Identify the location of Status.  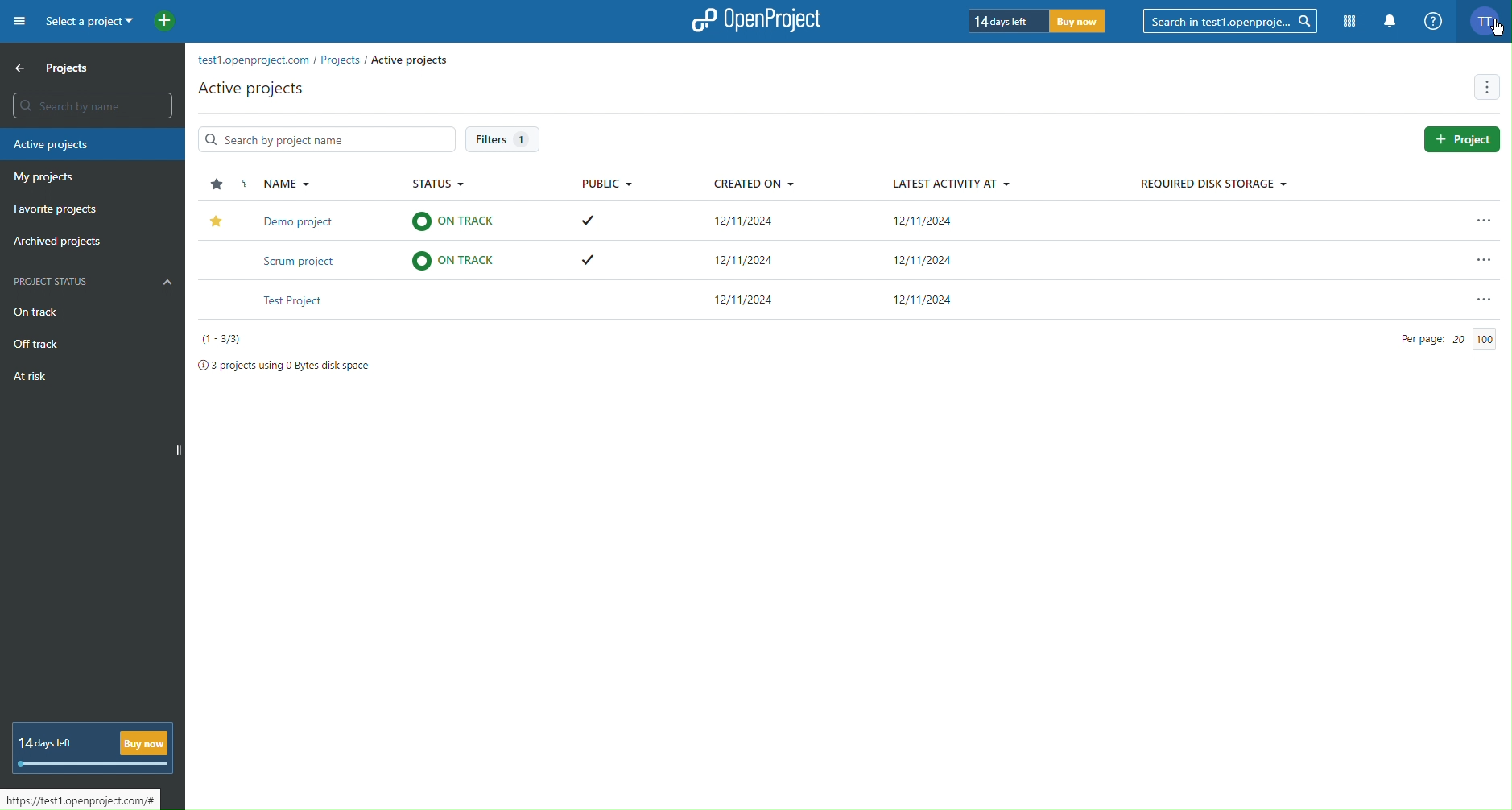
(437, 182).